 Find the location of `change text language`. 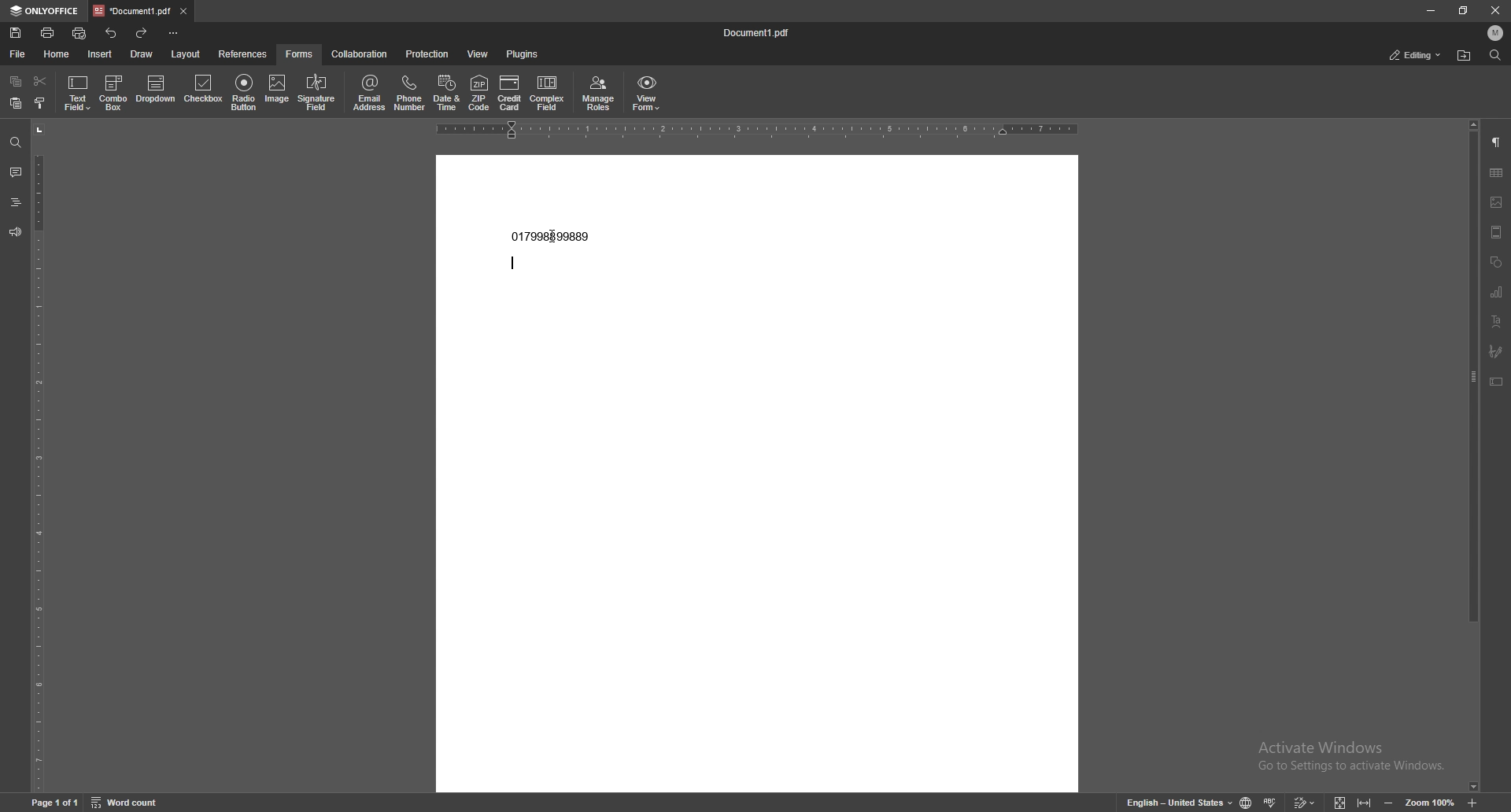

change text language is located at coordinates (1180, 803).